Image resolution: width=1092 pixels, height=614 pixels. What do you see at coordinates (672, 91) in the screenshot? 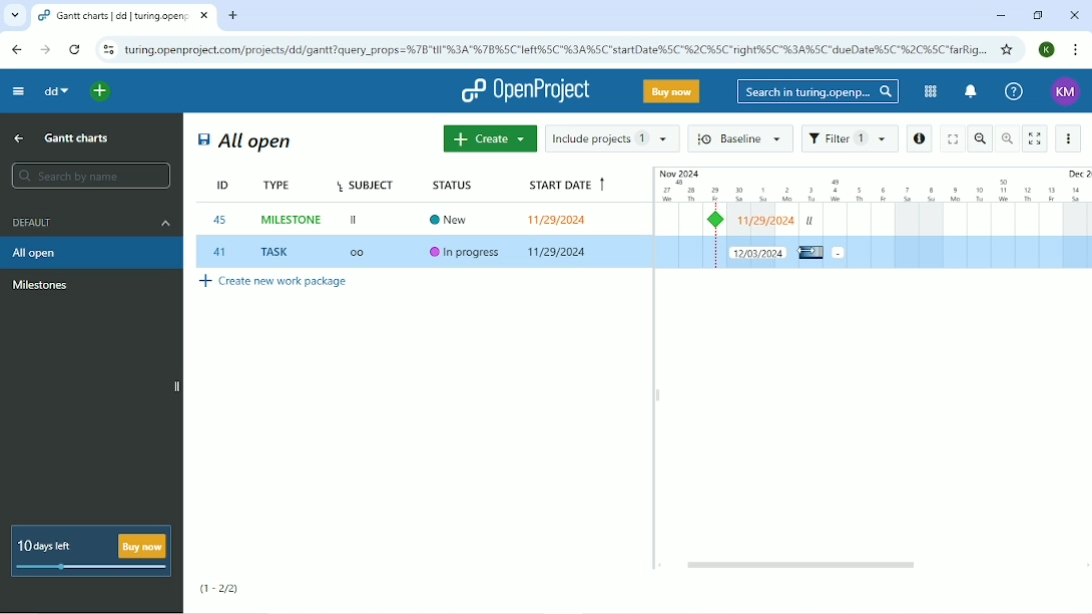
I see `Buy now` at bounding box center [672, 91].